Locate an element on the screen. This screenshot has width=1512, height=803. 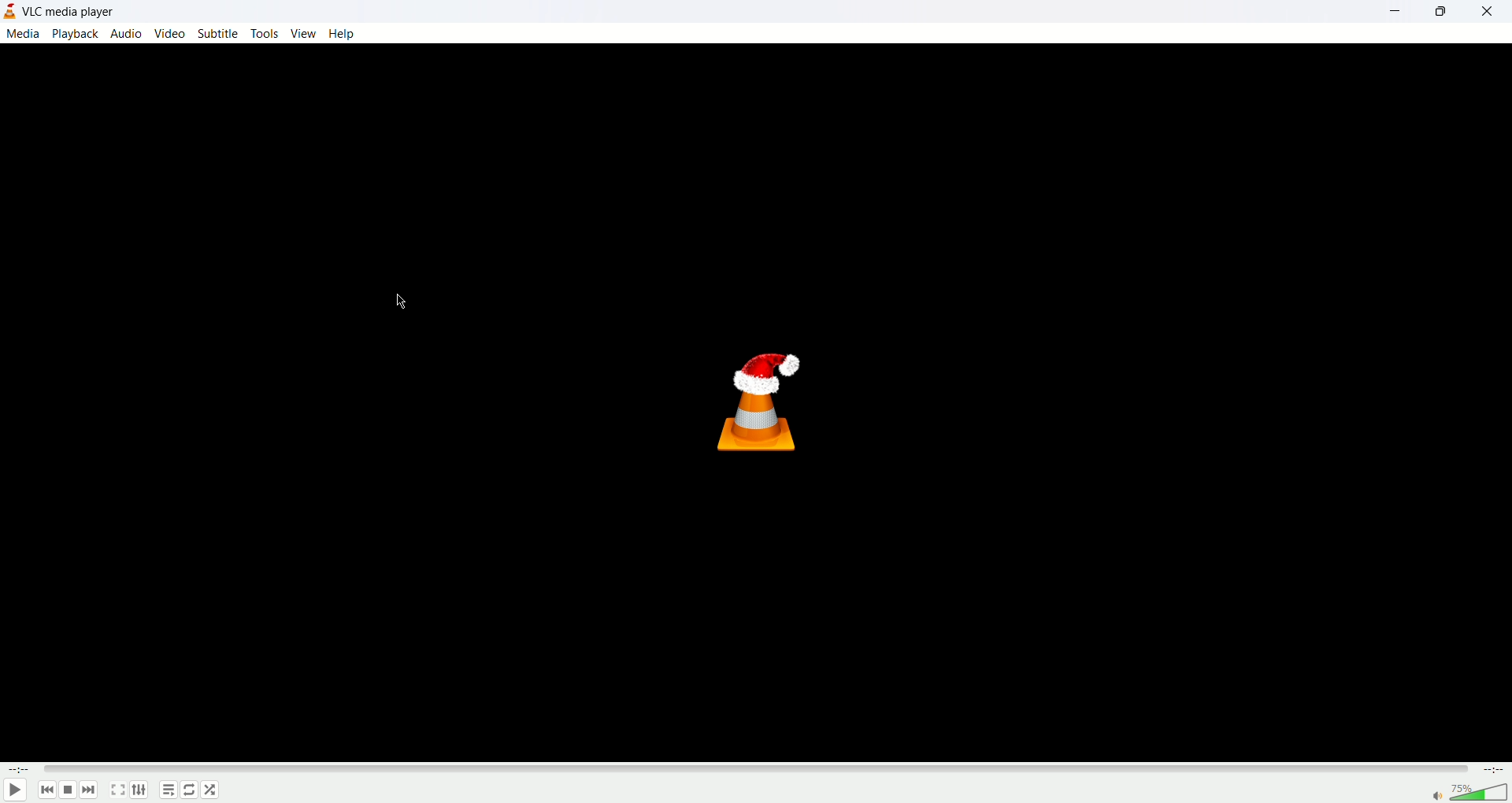
minimize is located at coordinates (1401, 11).